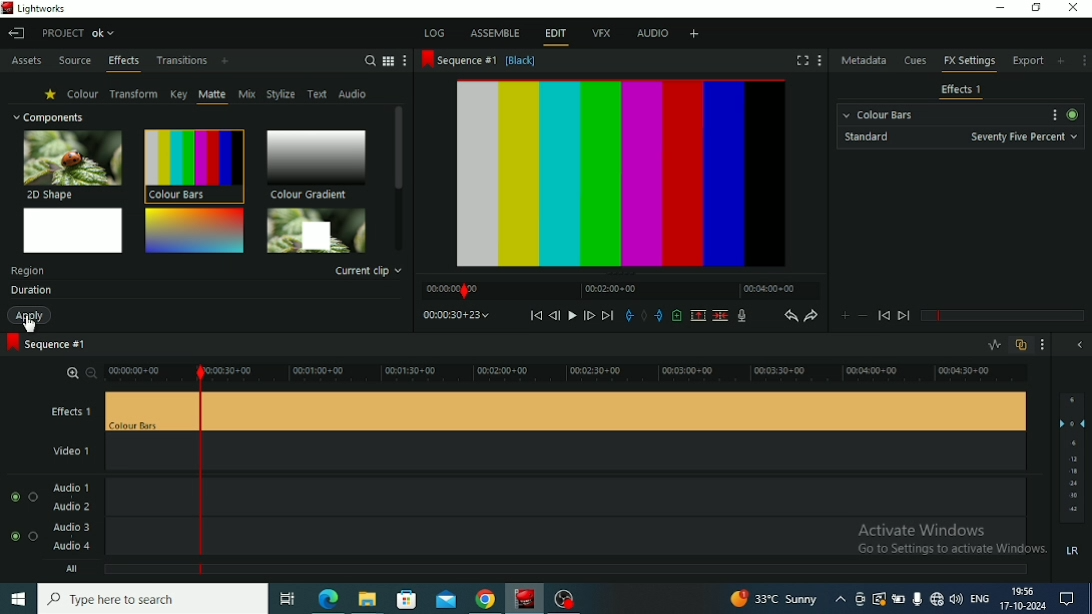  I want to click on Exit, so click(16, 33).